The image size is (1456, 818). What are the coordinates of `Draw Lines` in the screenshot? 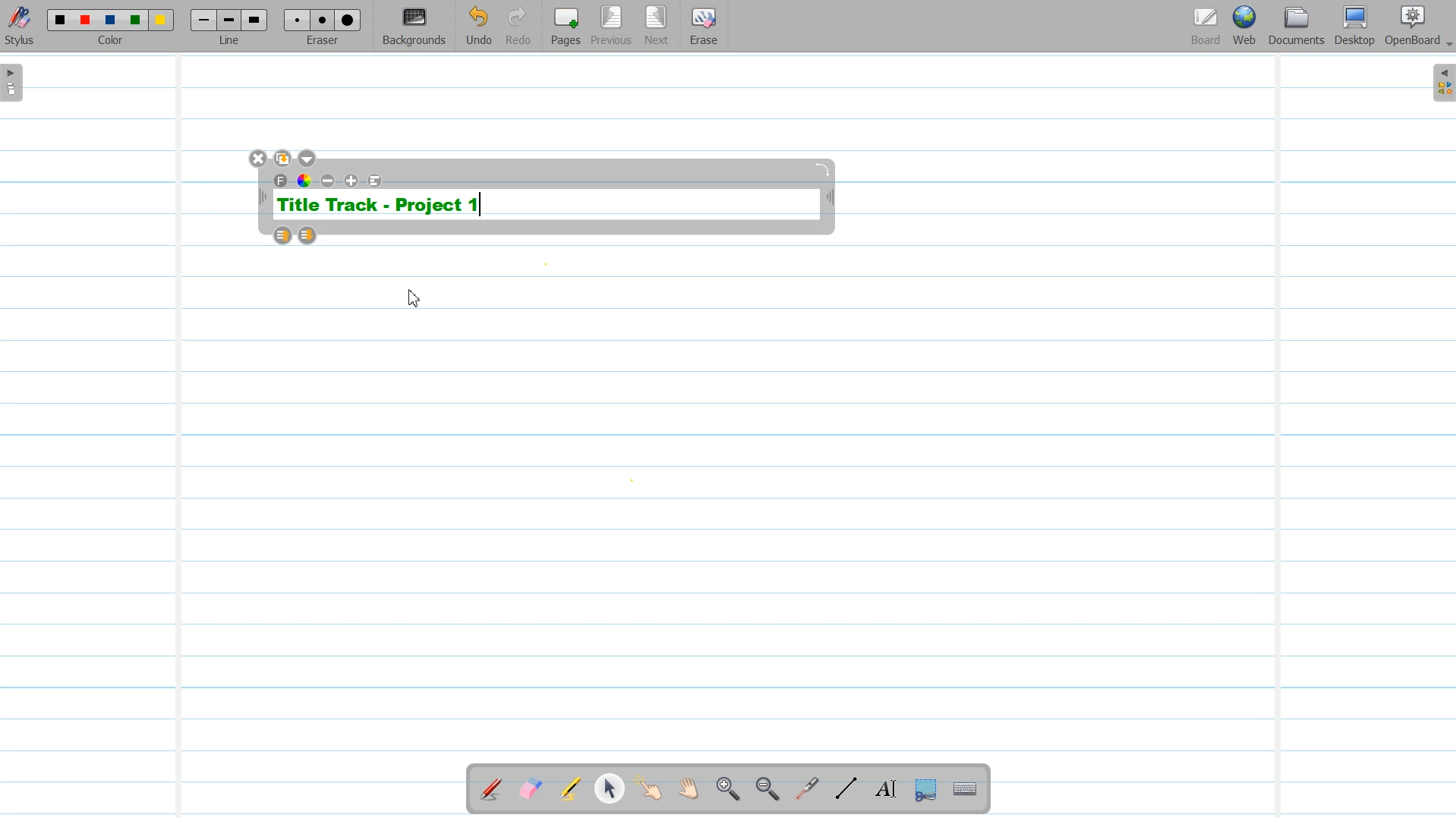 It's located at (846, 789).